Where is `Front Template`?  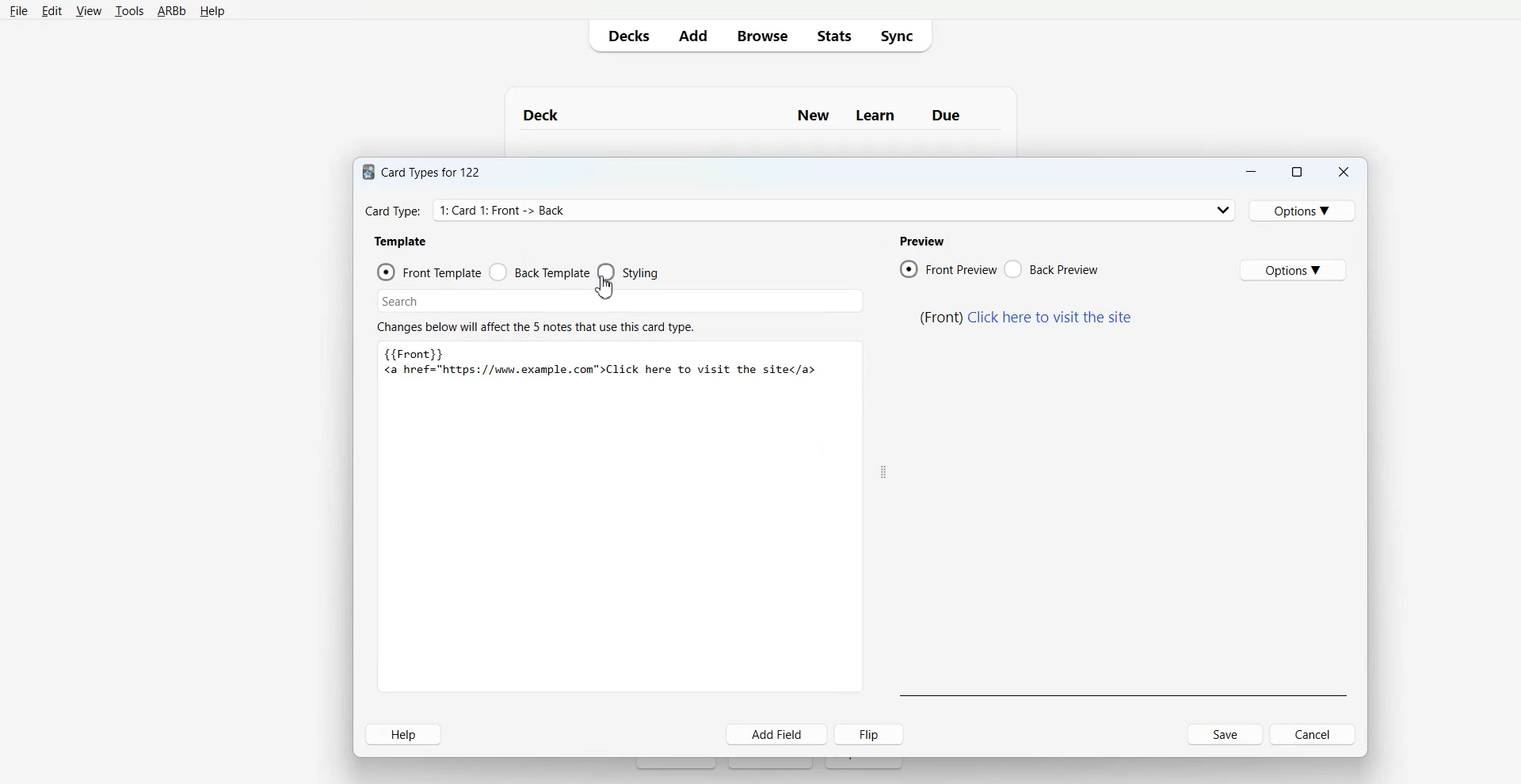
Front Template is located at coordinates (540, 272).